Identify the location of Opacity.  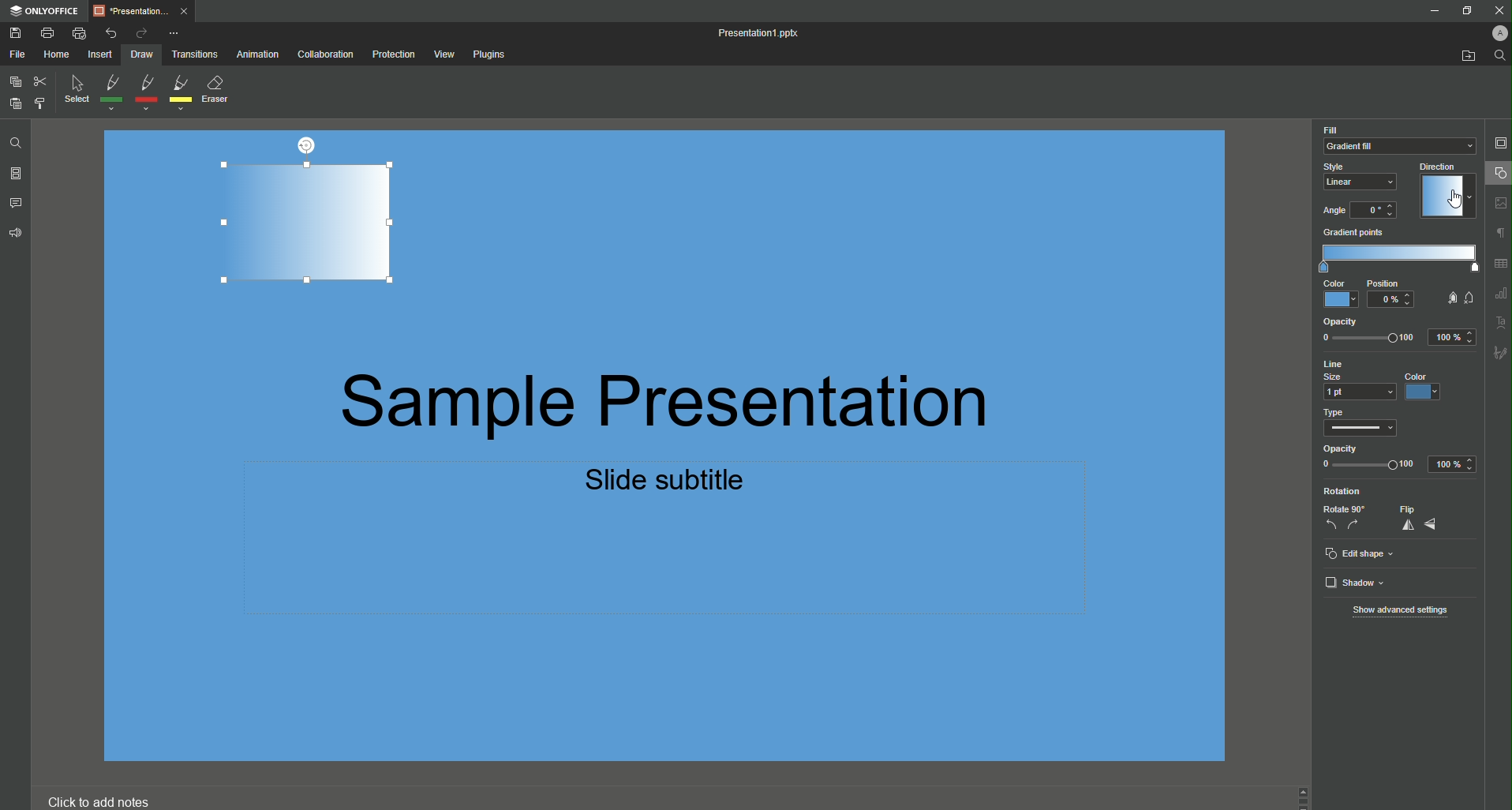
(1395, 328).